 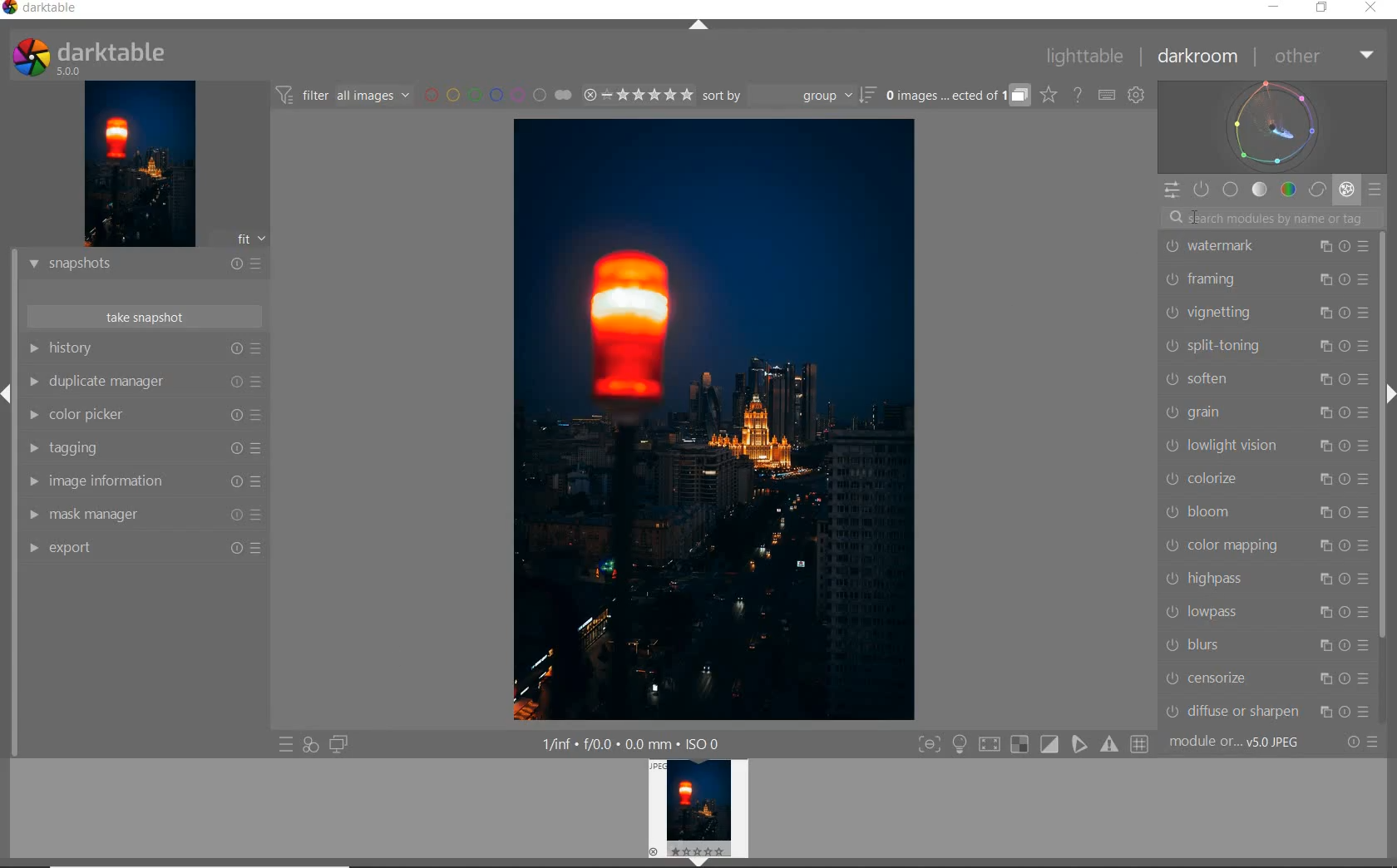 I want to click on Multiple instance, so click(x=1316, y=380).